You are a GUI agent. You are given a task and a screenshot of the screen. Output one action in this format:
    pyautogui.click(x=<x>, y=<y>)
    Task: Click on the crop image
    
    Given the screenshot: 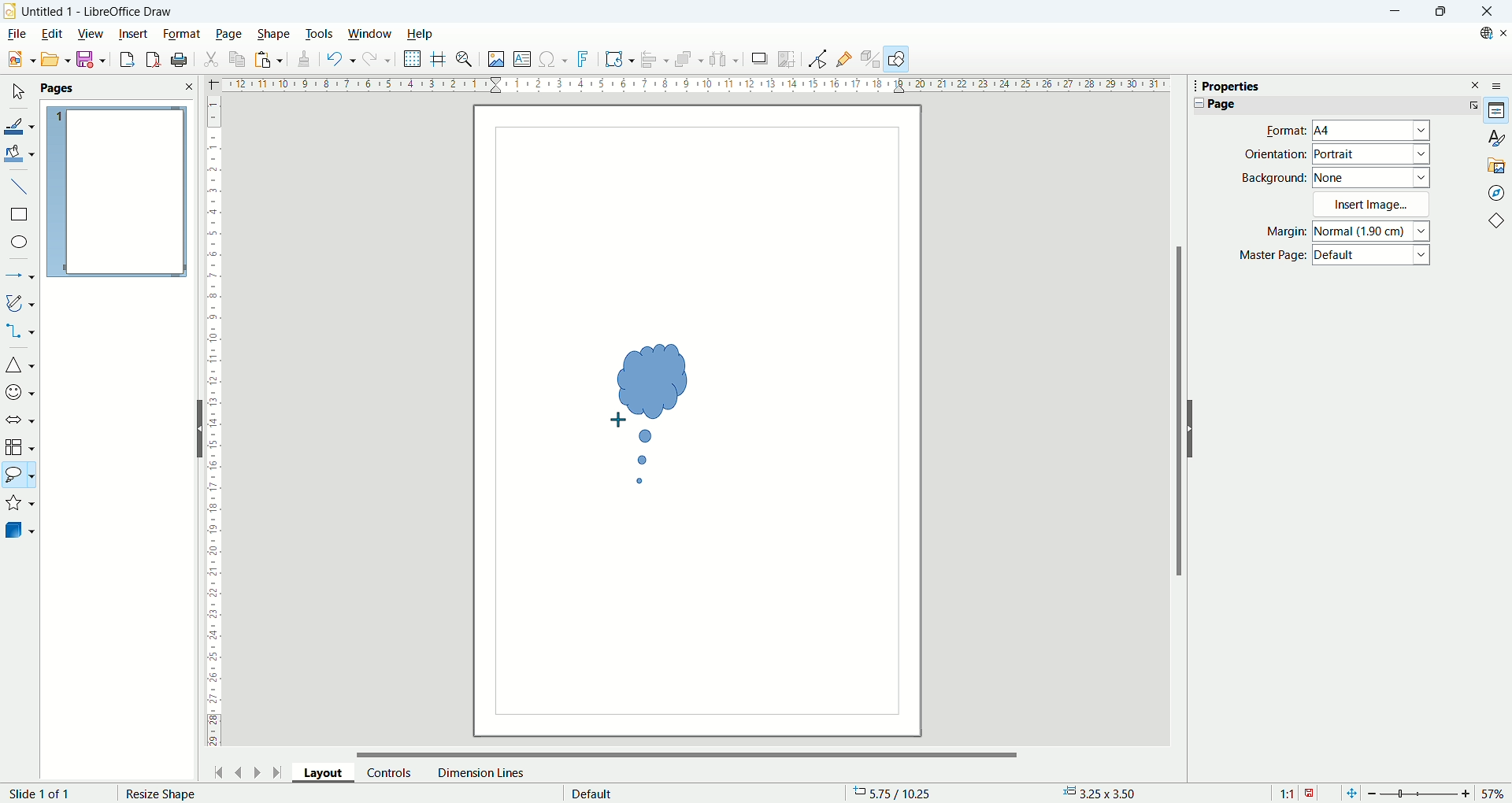 What is the action you would take?
    pyautogui.click(x=787, y=57)
    